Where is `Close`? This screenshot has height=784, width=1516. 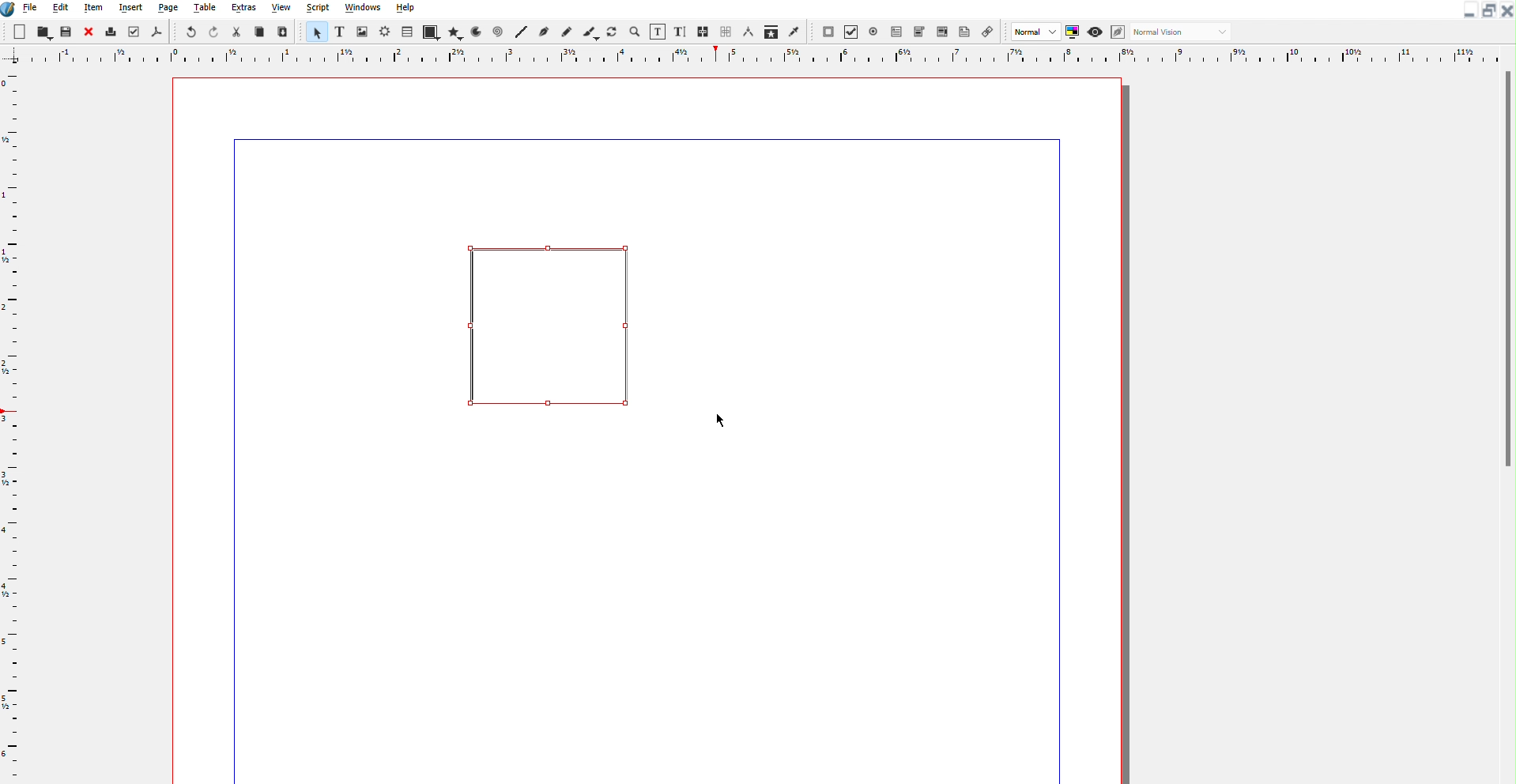
Close is located at coordinates (86, 32).